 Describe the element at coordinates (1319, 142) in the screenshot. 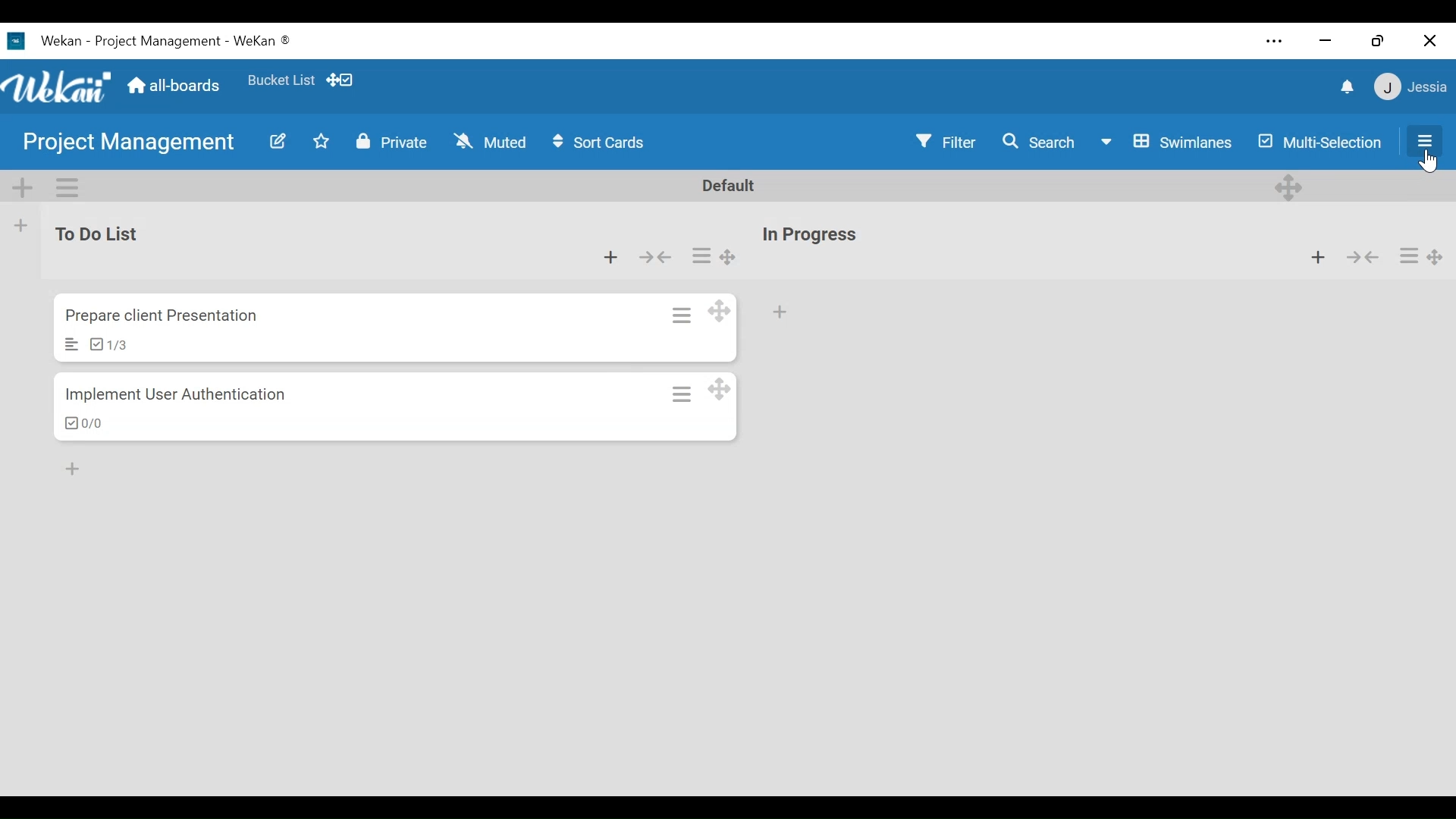

I see `Multi-selection` at that location.